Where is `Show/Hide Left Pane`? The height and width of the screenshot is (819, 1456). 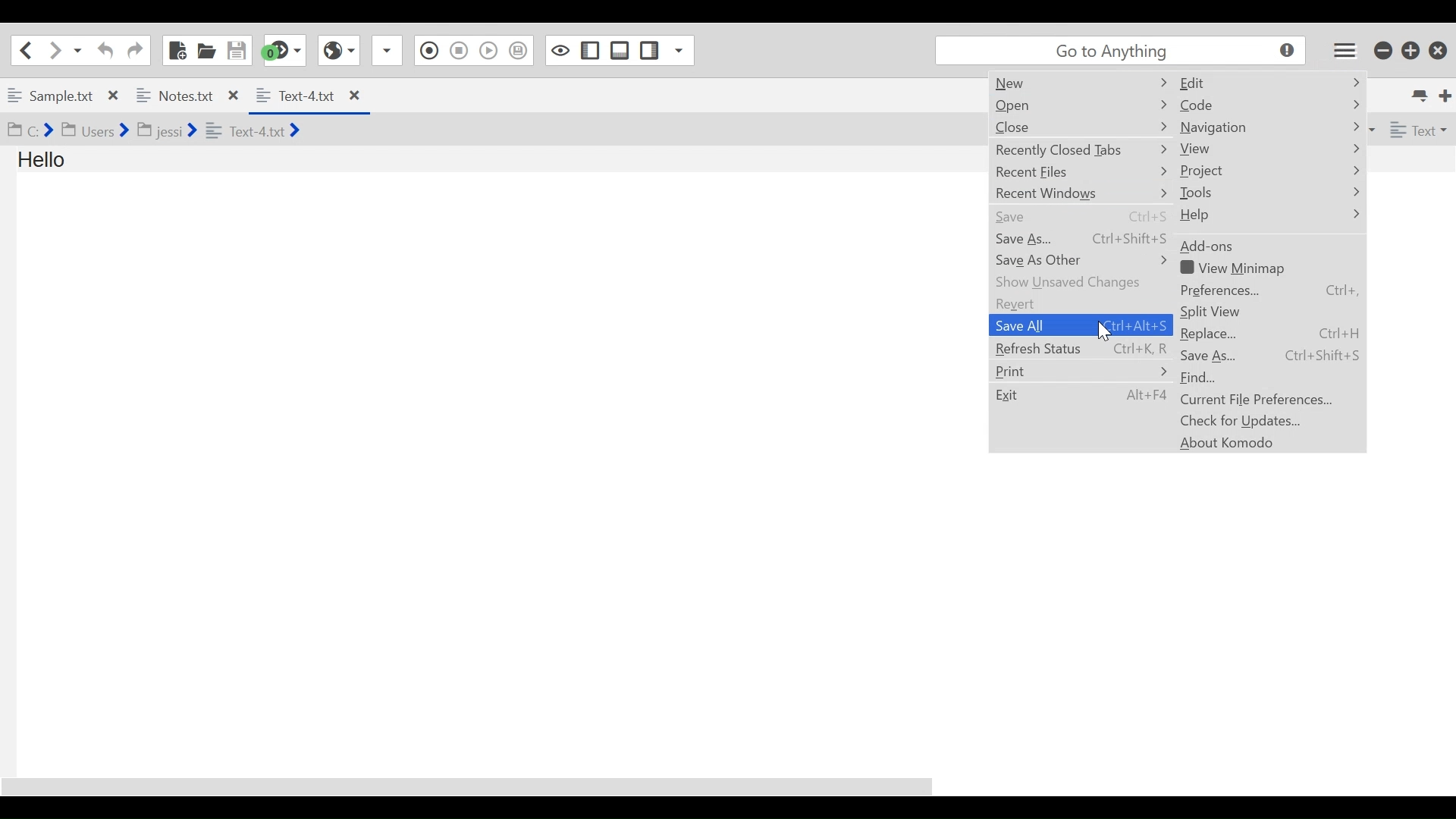
Show/Hide Left Pane is located at coordinates (590, 51).